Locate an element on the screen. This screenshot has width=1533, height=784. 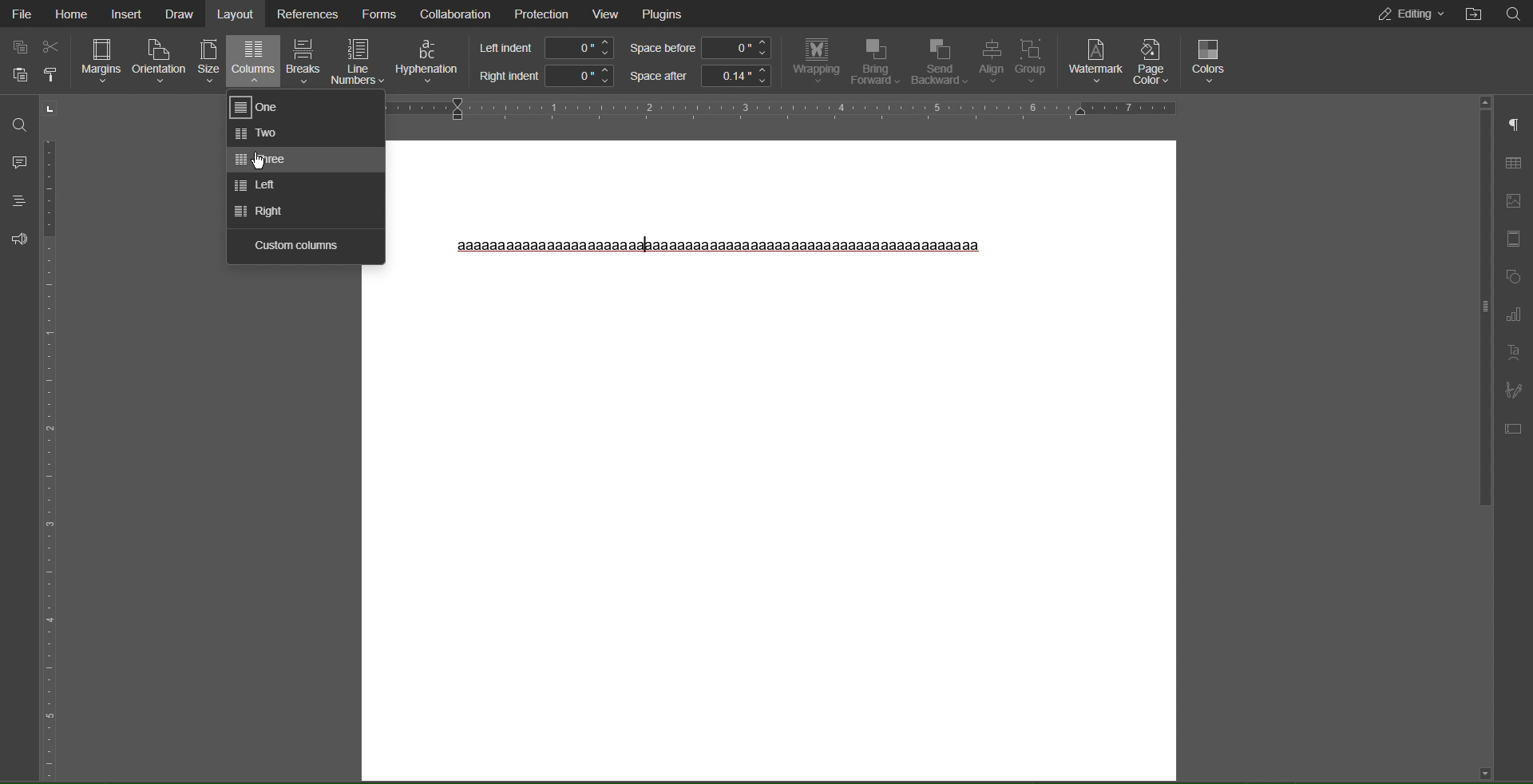
Spaces Before is located at coordinates (700, 49).